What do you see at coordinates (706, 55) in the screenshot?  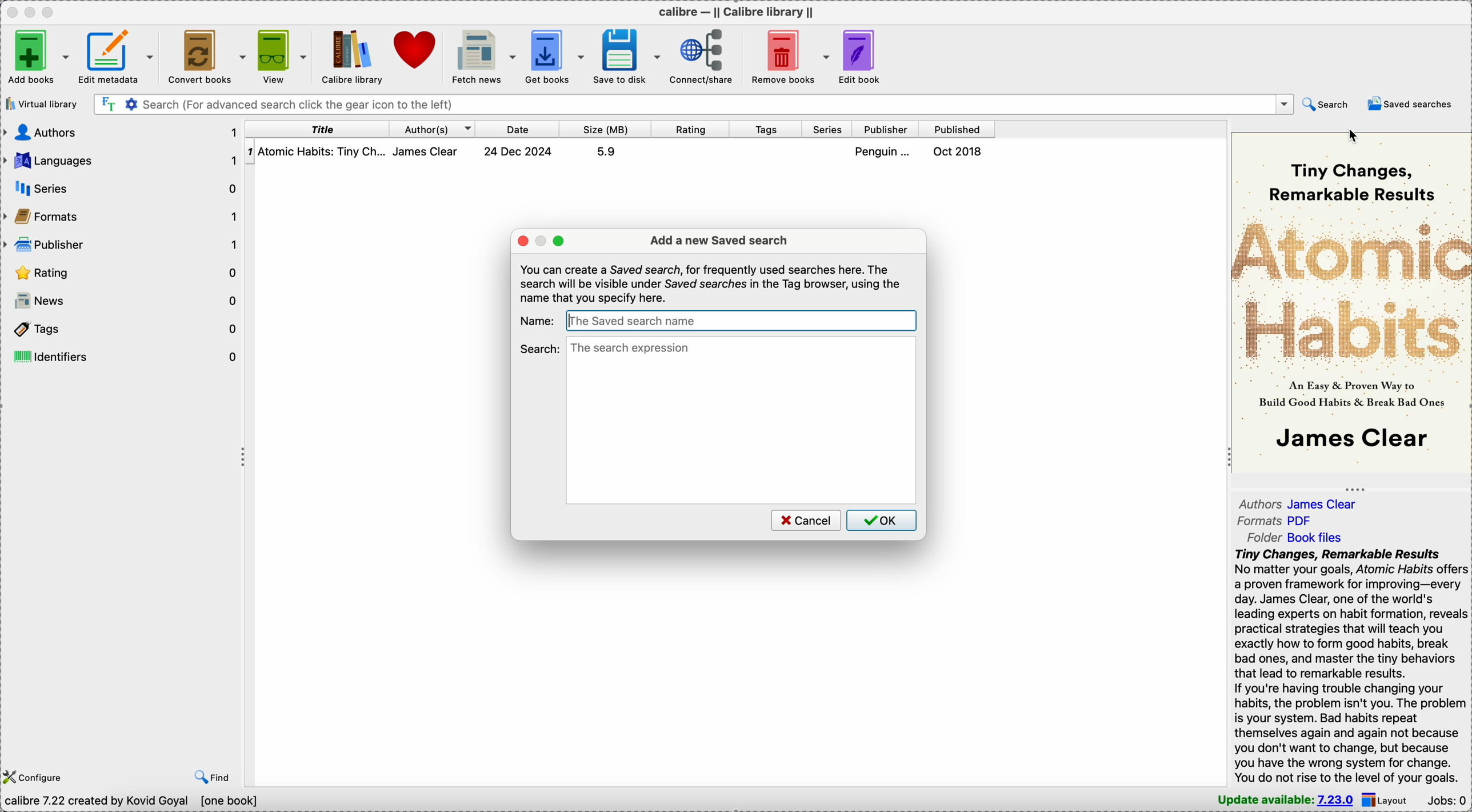 I see `connect/share` at bounding box center [706, 55].